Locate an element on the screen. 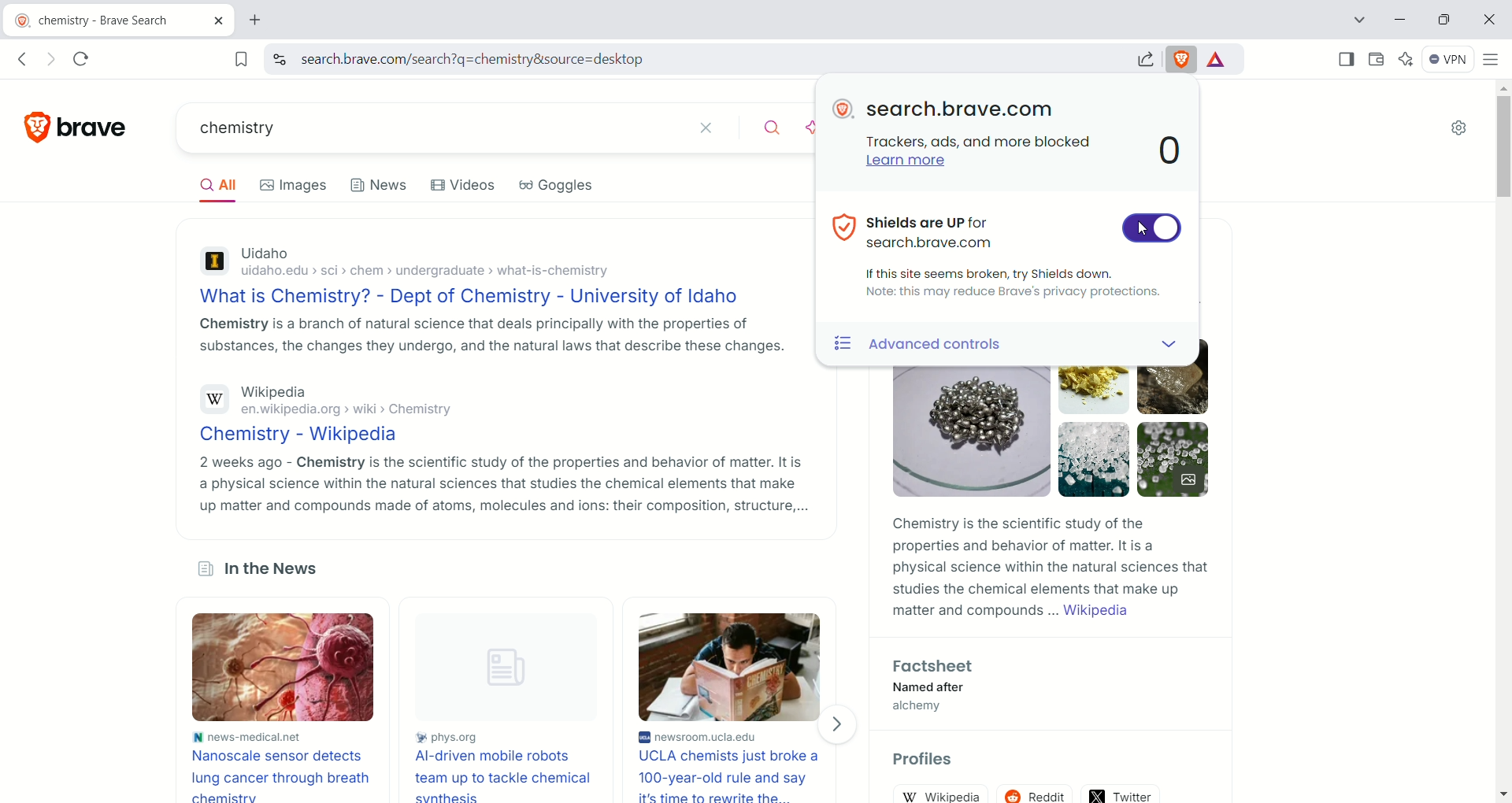 This screenshot has width=1512, height=803. show sidebar is located at coordinates (1344, 59).